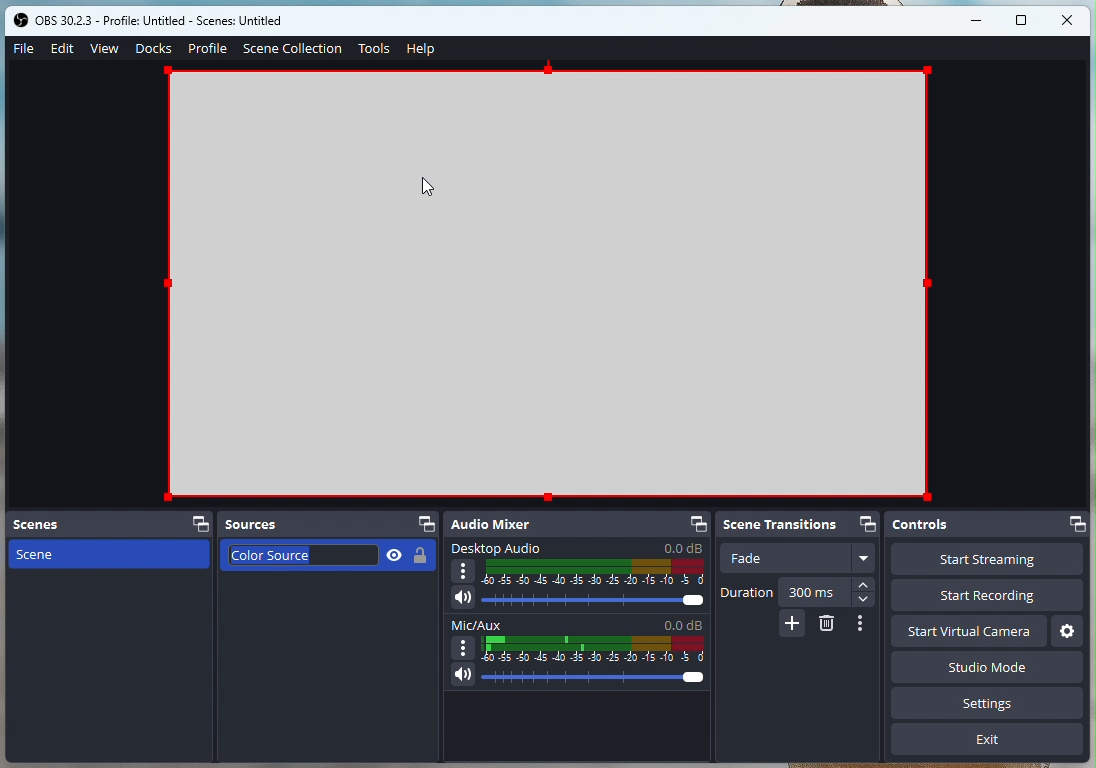 This screenshot has height=768, width=1096. Describe the element at coordinates (798, 592) in the screenshot. I see `Duration` at that location.